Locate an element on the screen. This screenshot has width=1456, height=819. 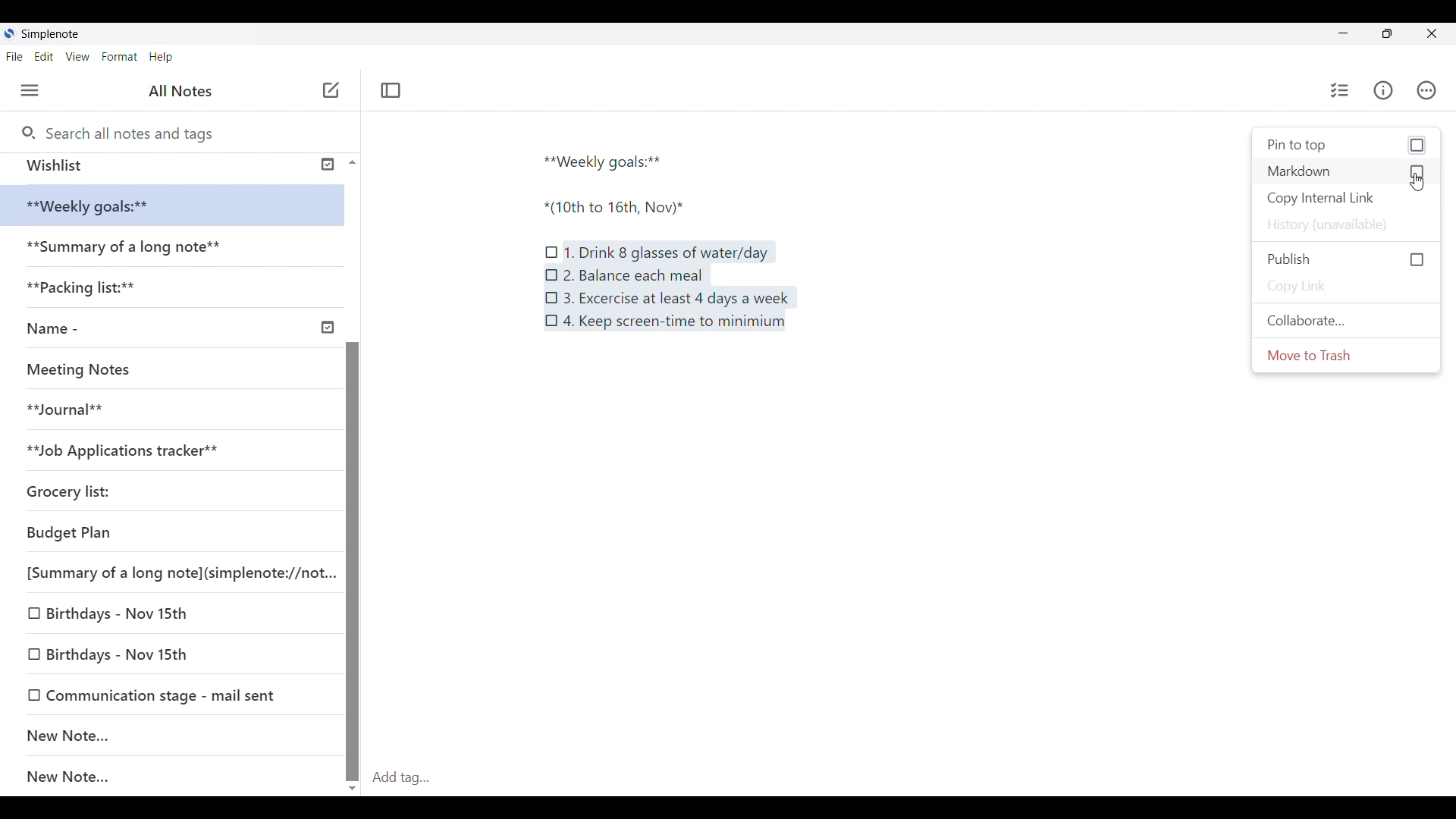
minimize is located at coordinates (1354, 36).